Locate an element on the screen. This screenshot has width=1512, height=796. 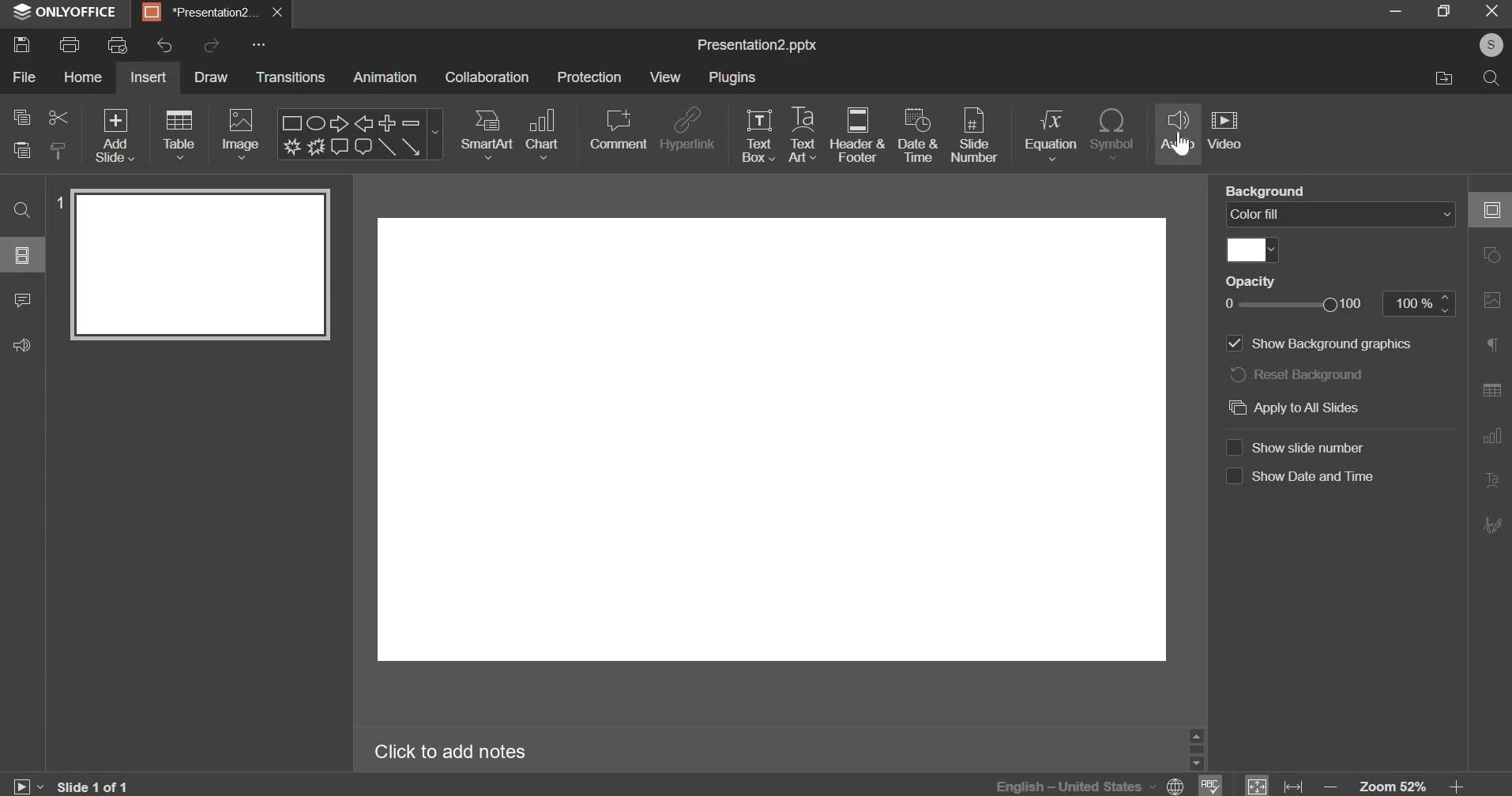
print is located at coordinates (70, 45).